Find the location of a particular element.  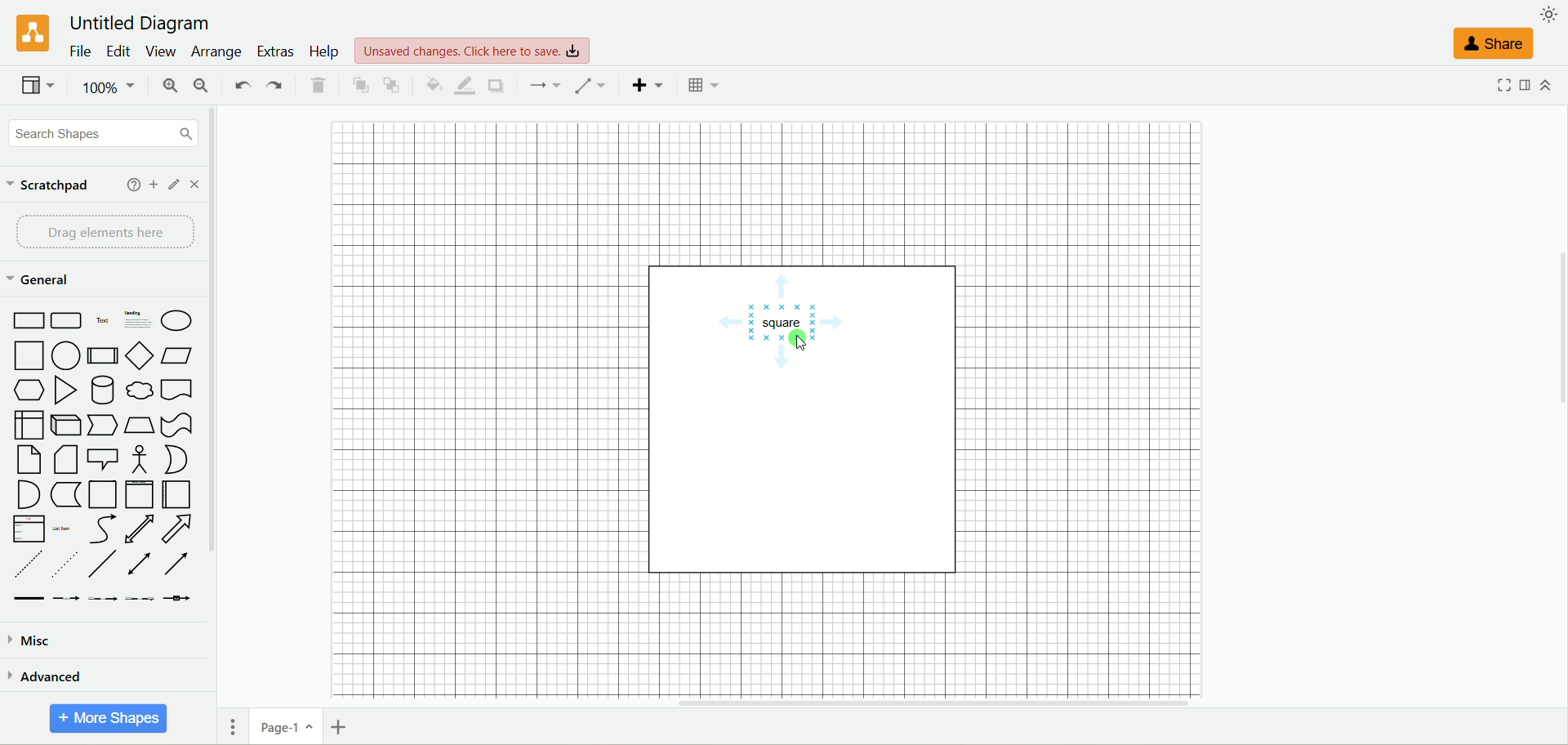

redo is located at coordinates (274, 87).